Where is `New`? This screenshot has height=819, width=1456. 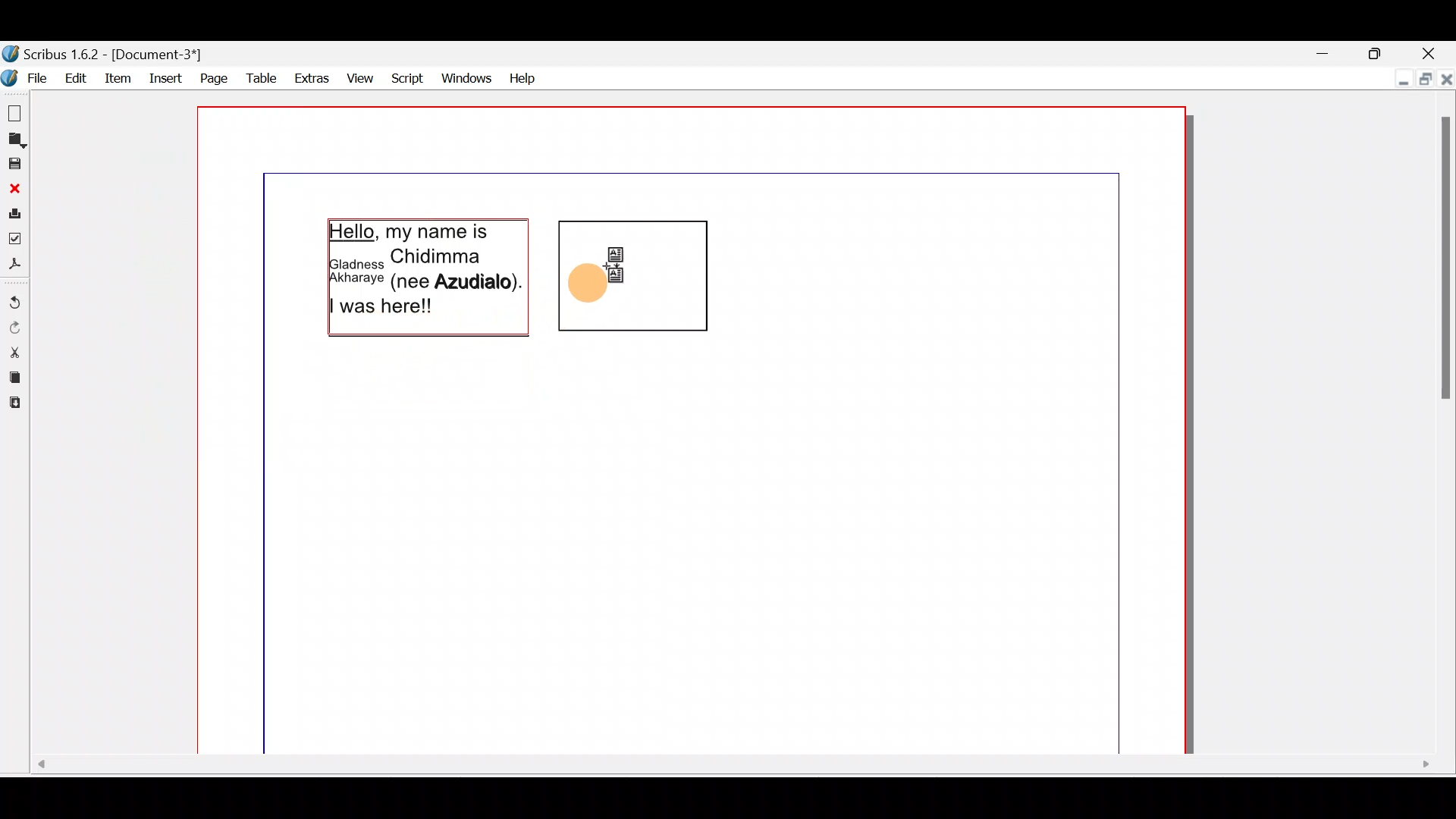 New is located at coordinates (17, 112).